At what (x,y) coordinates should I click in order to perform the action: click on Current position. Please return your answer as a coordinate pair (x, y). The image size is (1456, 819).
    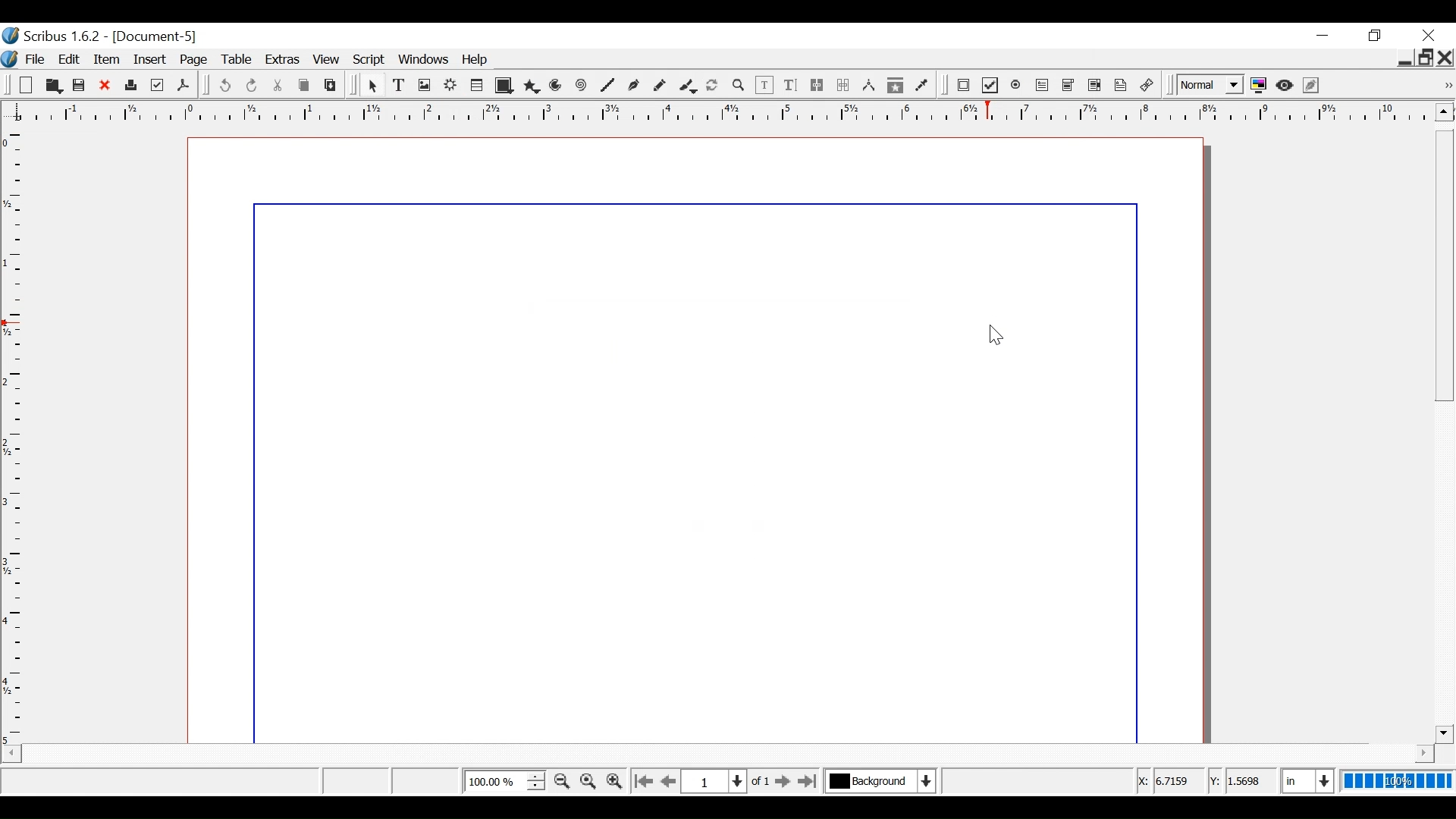
    Looking at the image, I should click on (730, 780).